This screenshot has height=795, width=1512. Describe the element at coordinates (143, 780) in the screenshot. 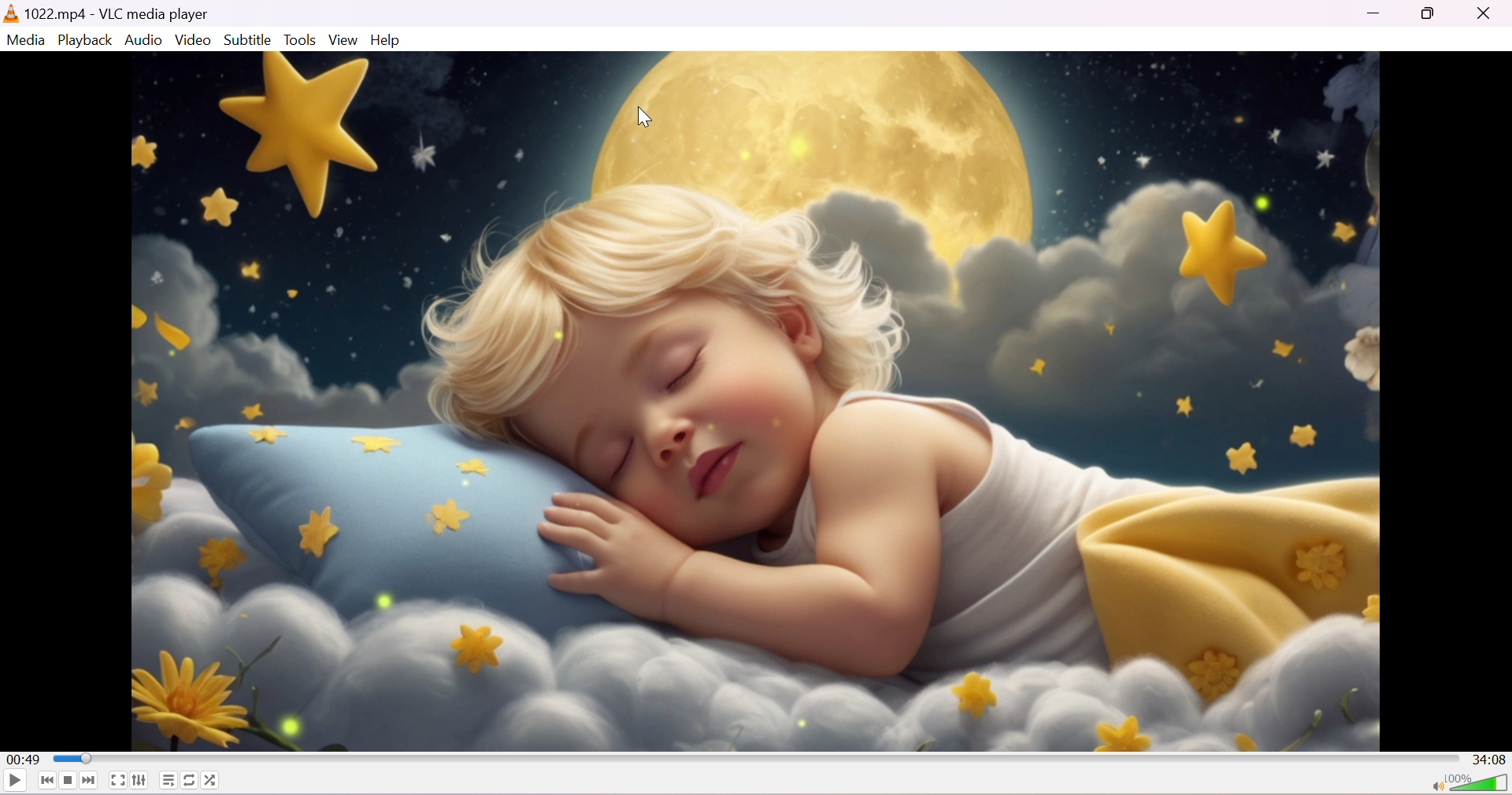

I see `Show extended settings` at that location.